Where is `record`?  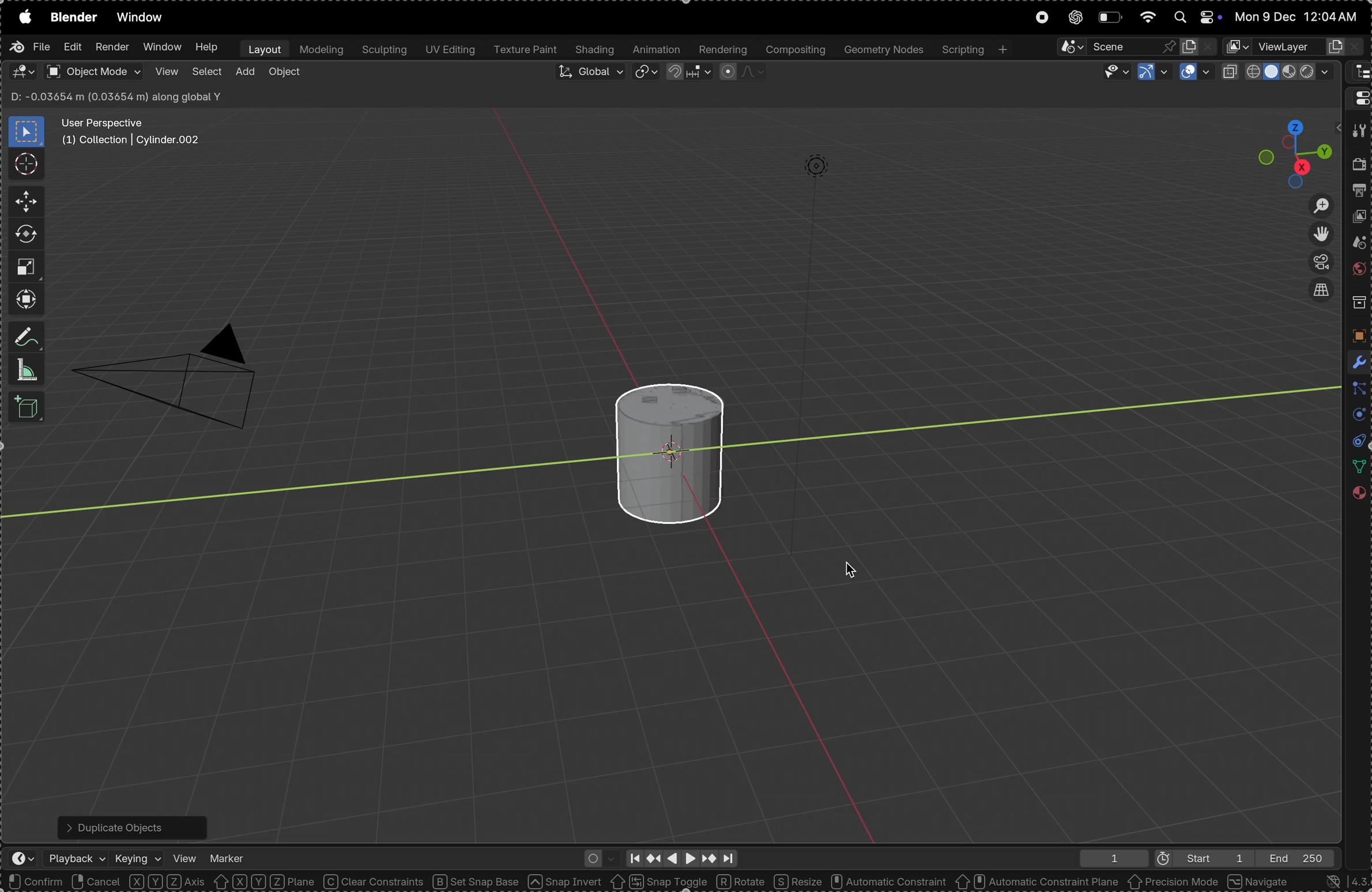
record is located at coordinates (1041, 18).